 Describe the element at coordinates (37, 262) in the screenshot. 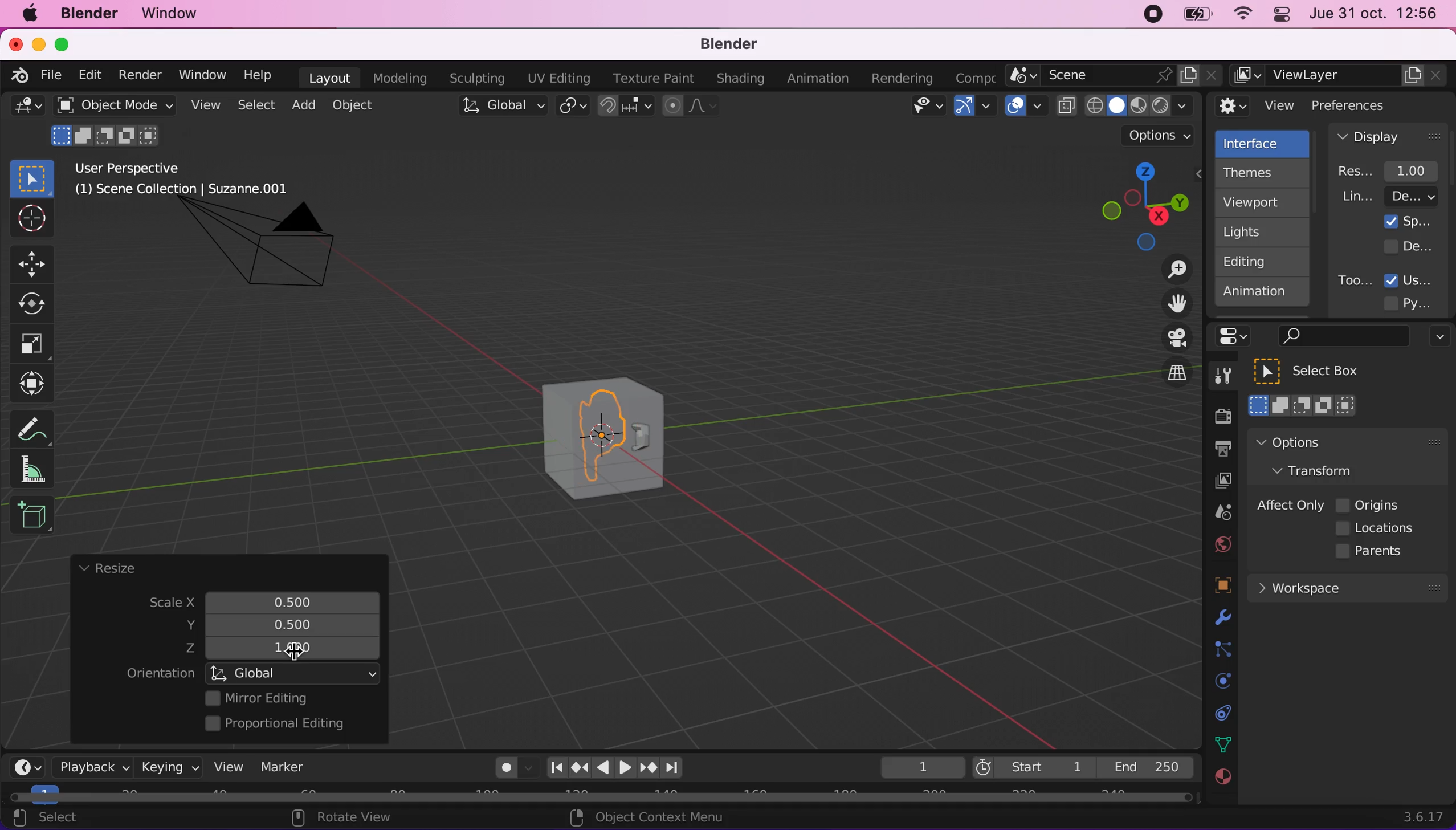

I see `` at that location.